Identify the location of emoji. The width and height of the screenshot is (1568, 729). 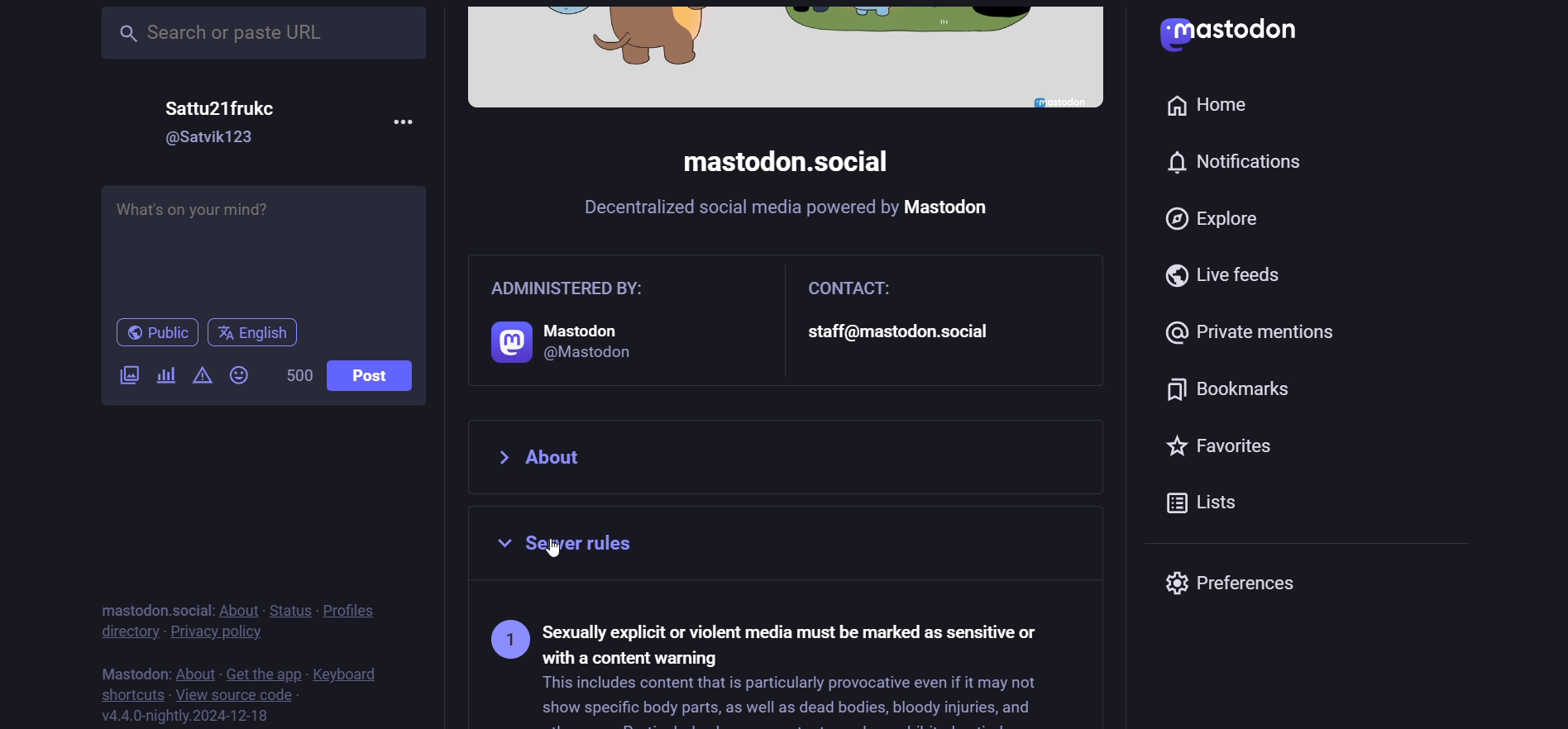
(242, 374).